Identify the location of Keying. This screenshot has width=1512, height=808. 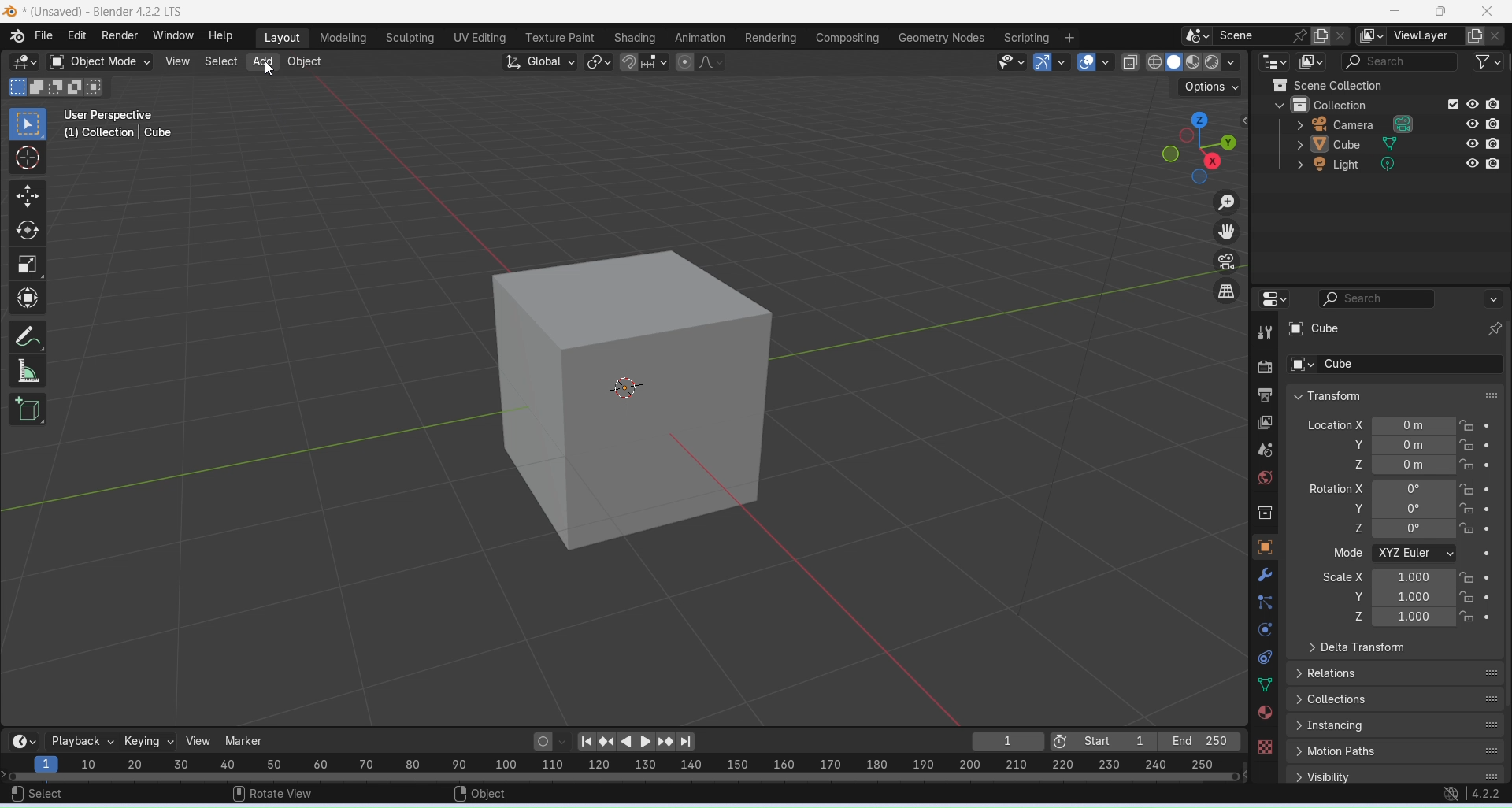
(146, 740).